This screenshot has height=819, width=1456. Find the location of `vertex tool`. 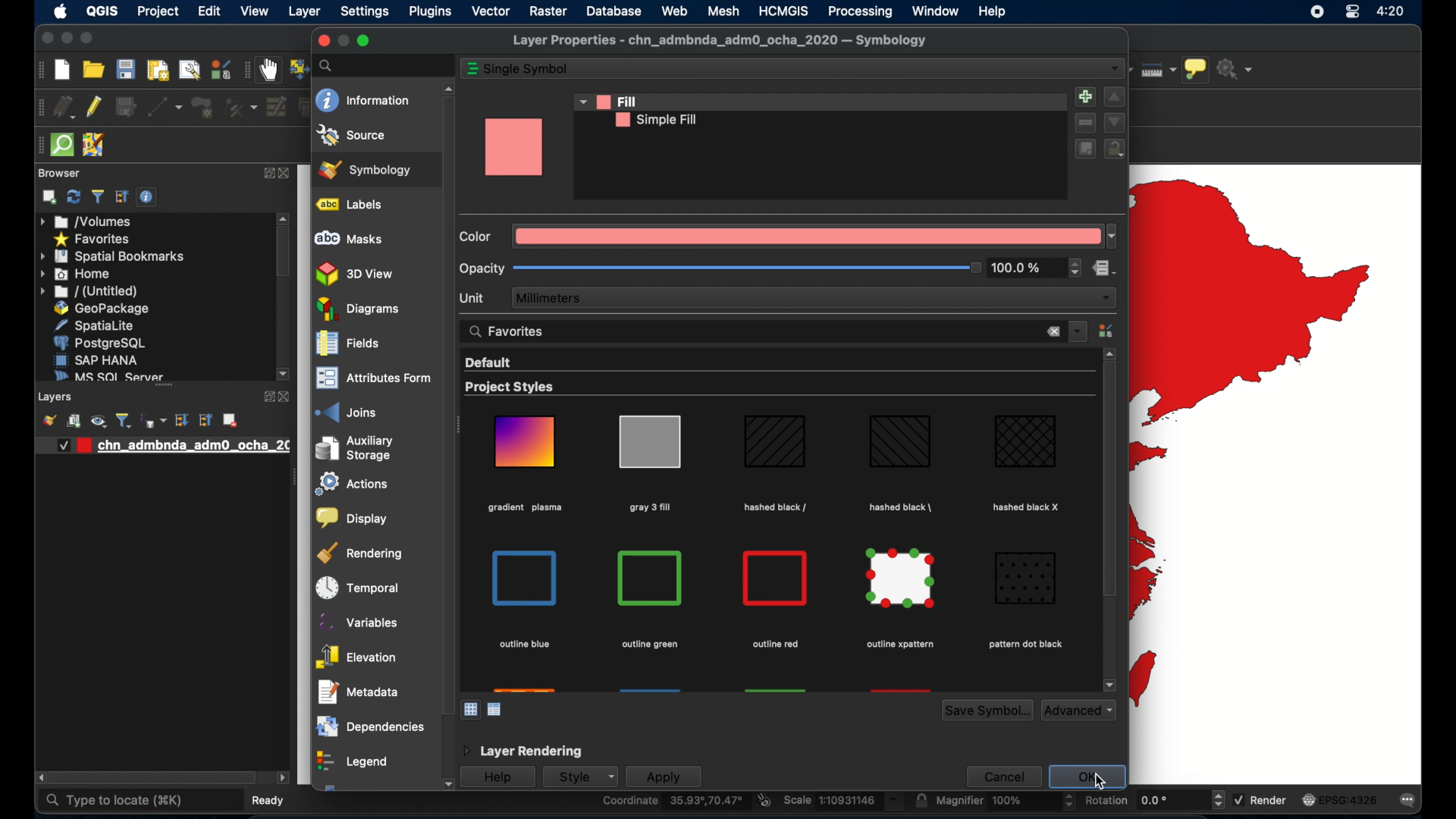

vertex tool is located at coordinates (240, 108).